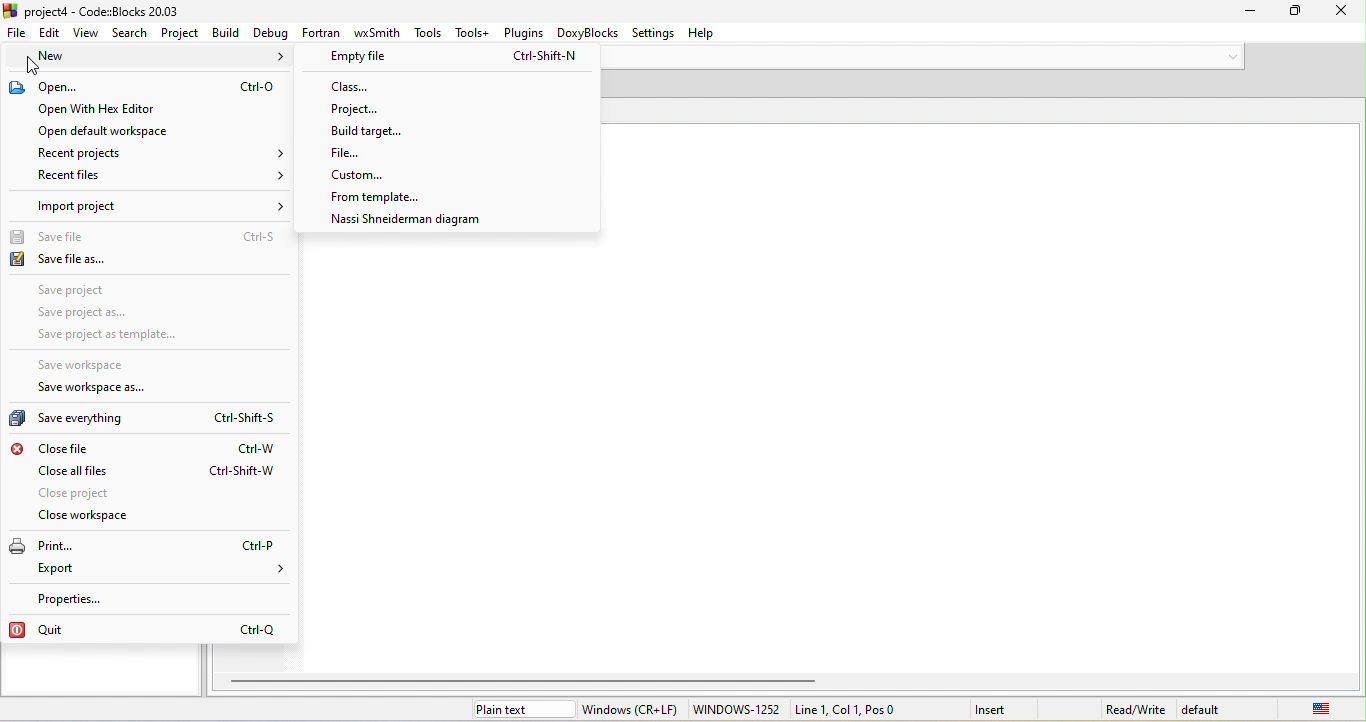 The image size is (1366, 722). Describe the element at coordinates (88, 35) in the screenshot. I see `view` at that location.